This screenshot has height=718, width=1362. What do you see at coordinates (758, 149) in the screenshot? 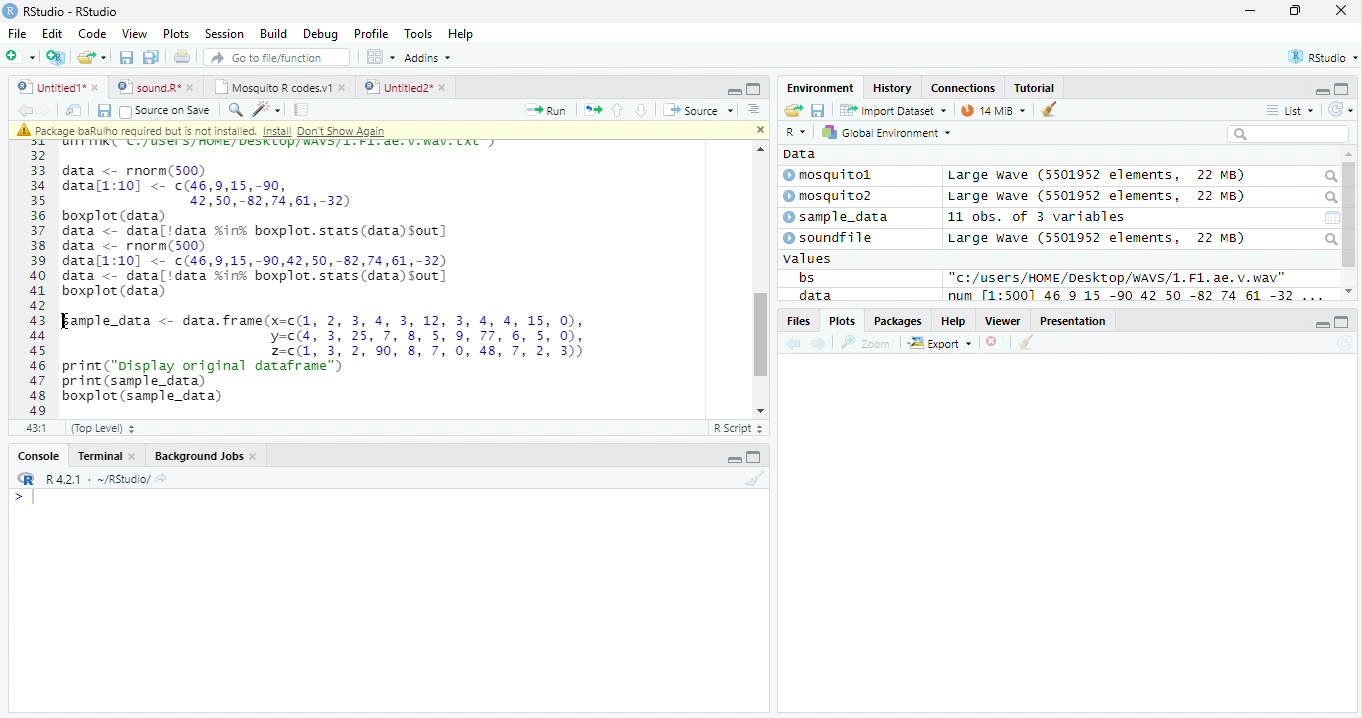
I see `scroll up` at bounding box center [758, 149].